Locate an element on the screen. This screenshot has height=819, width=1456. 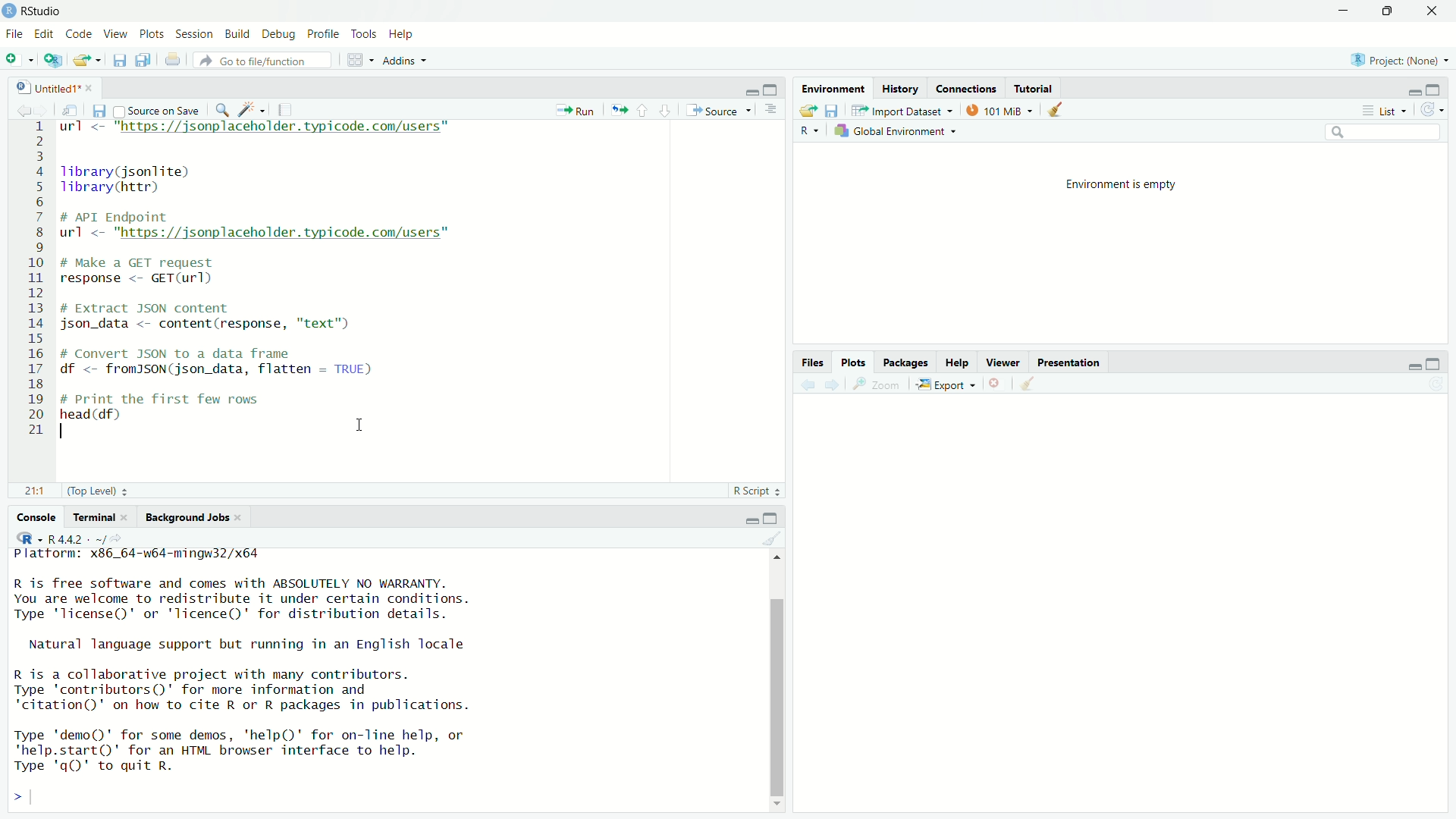
Open Existing File is located at coordinates (87, 60).